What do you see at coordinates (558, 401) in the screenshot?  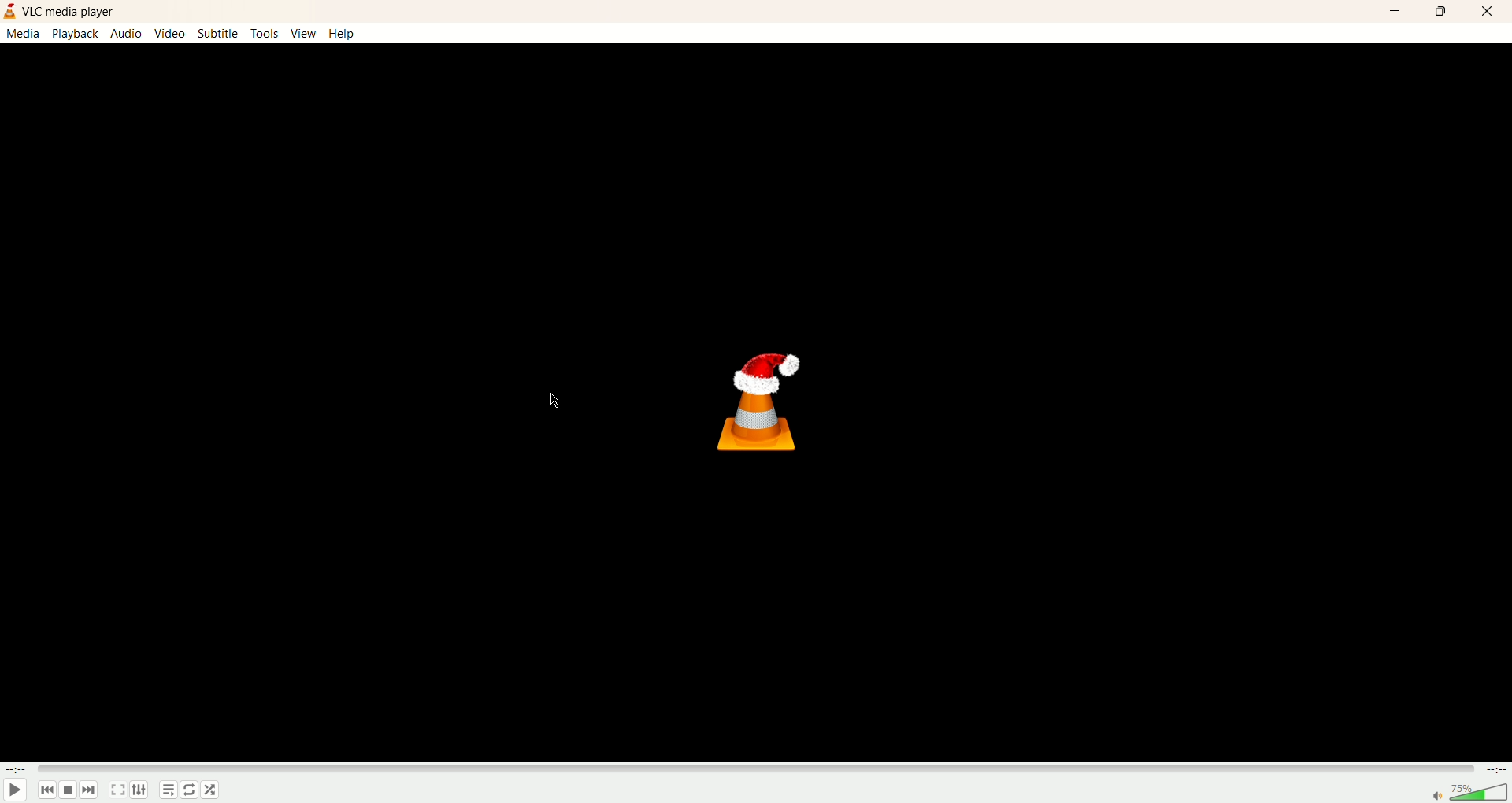 I see `cursor` at bounding box center [558, 401].